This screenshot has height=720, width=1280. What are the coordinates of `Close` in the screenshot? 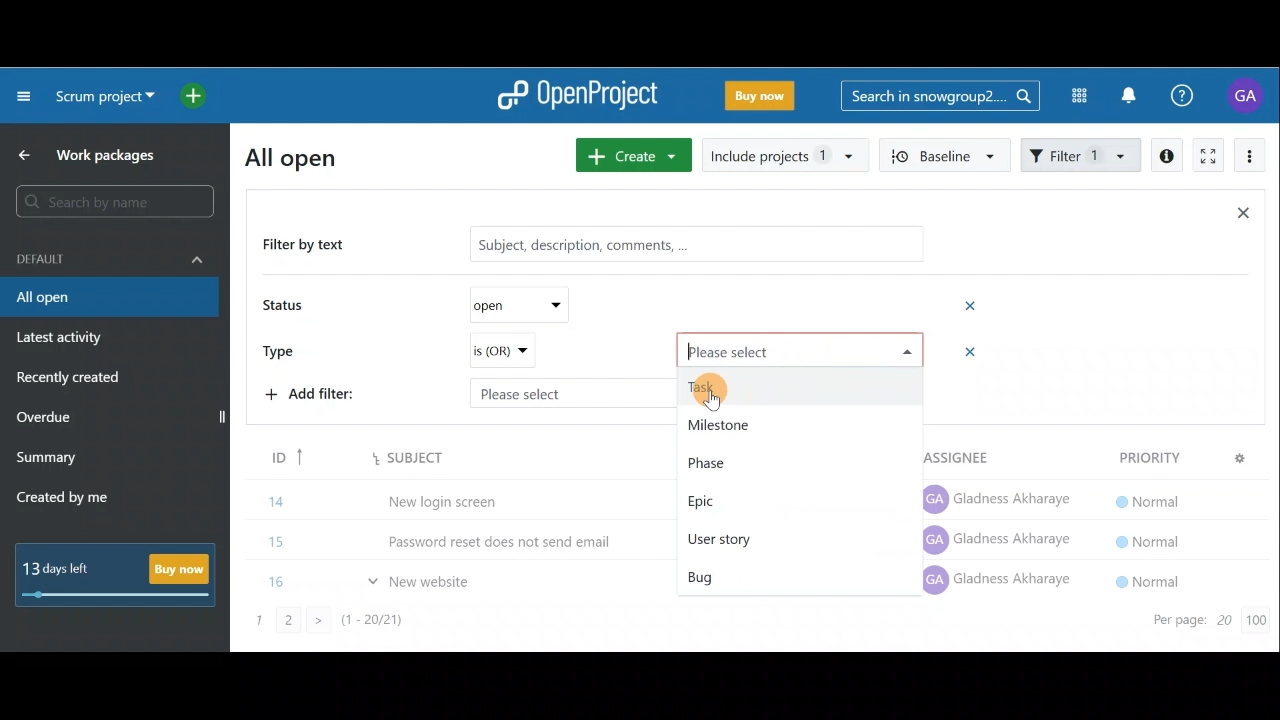 It's located at (1242, 217).